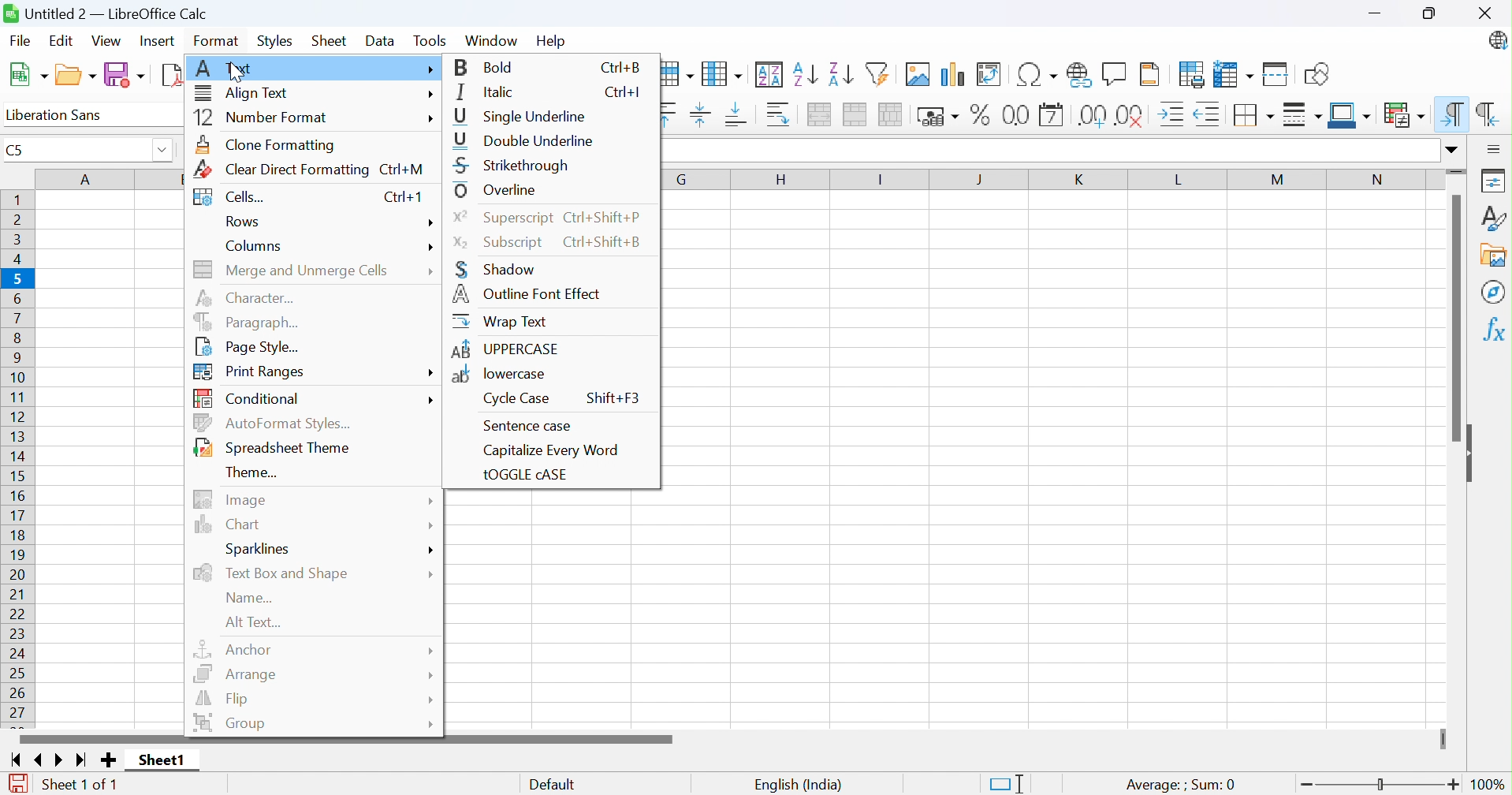 The width and height of the screenshot is (1512, 795). What do you see at coordinates (513, 400) in the screenshot?
I see `Cycle case` at bounding box center [513, 400].